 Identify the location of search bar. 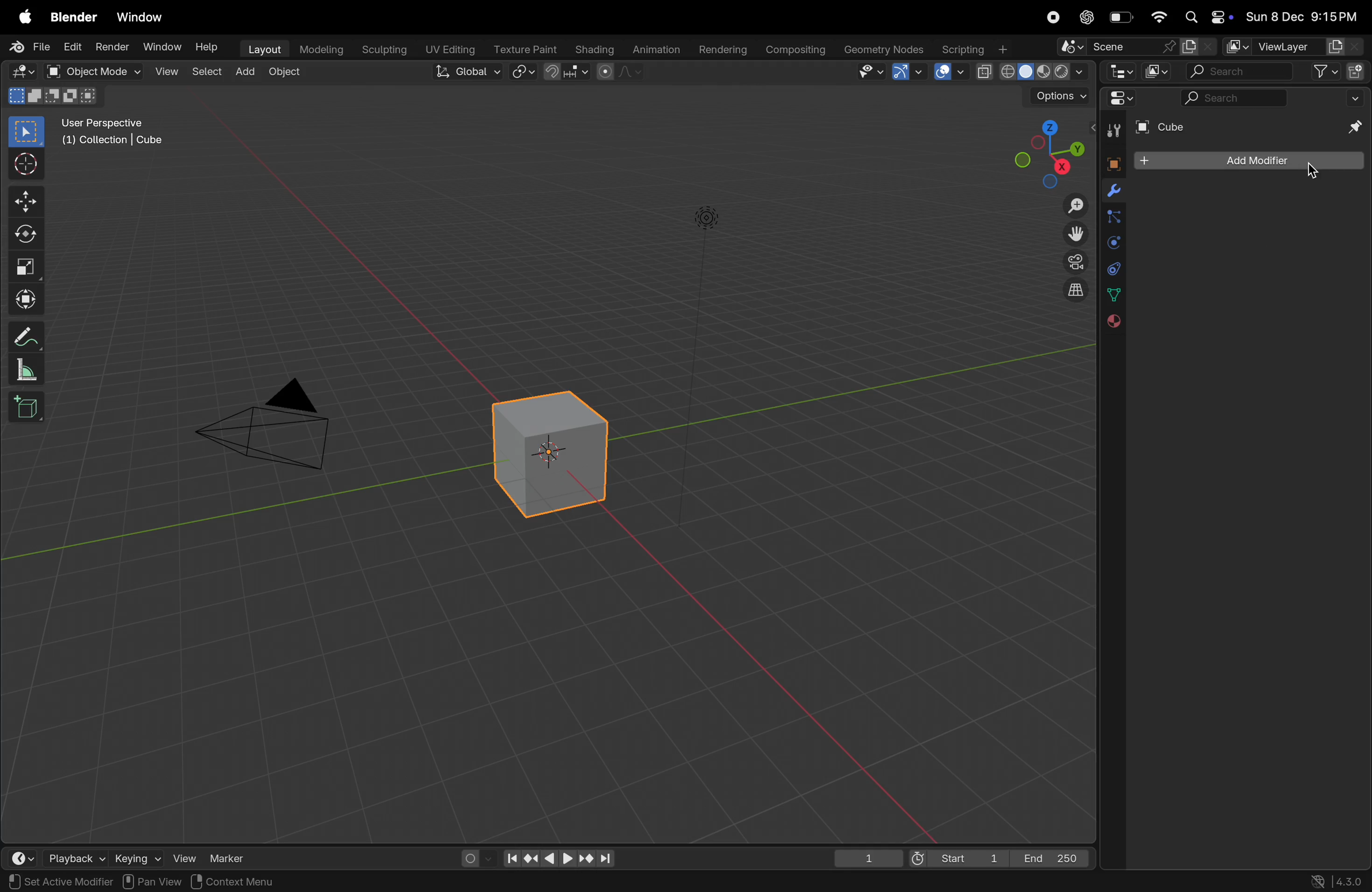
(1238, 73).